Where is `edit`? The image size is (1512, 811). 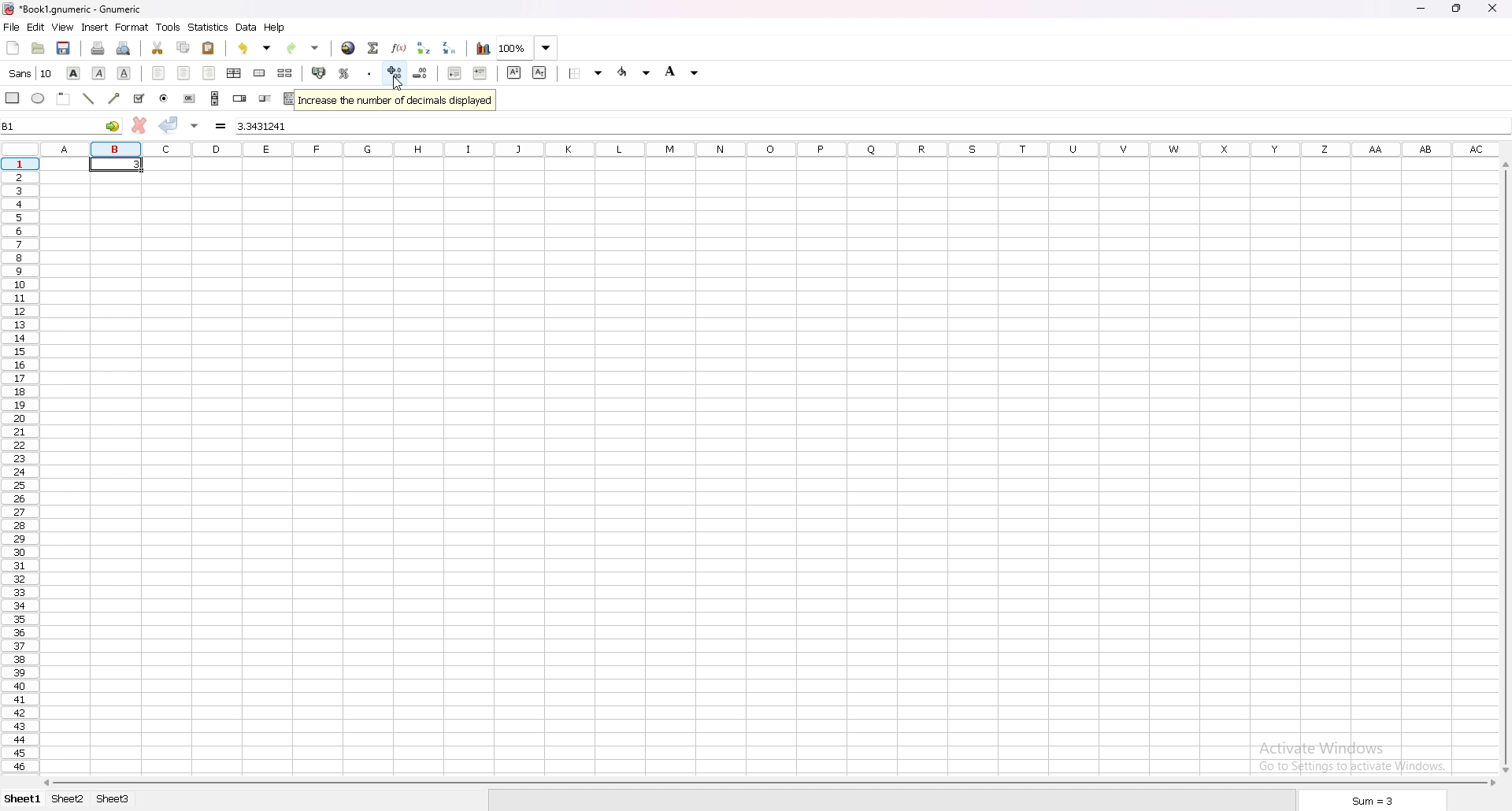 edit is located at coordinates (35, 28).